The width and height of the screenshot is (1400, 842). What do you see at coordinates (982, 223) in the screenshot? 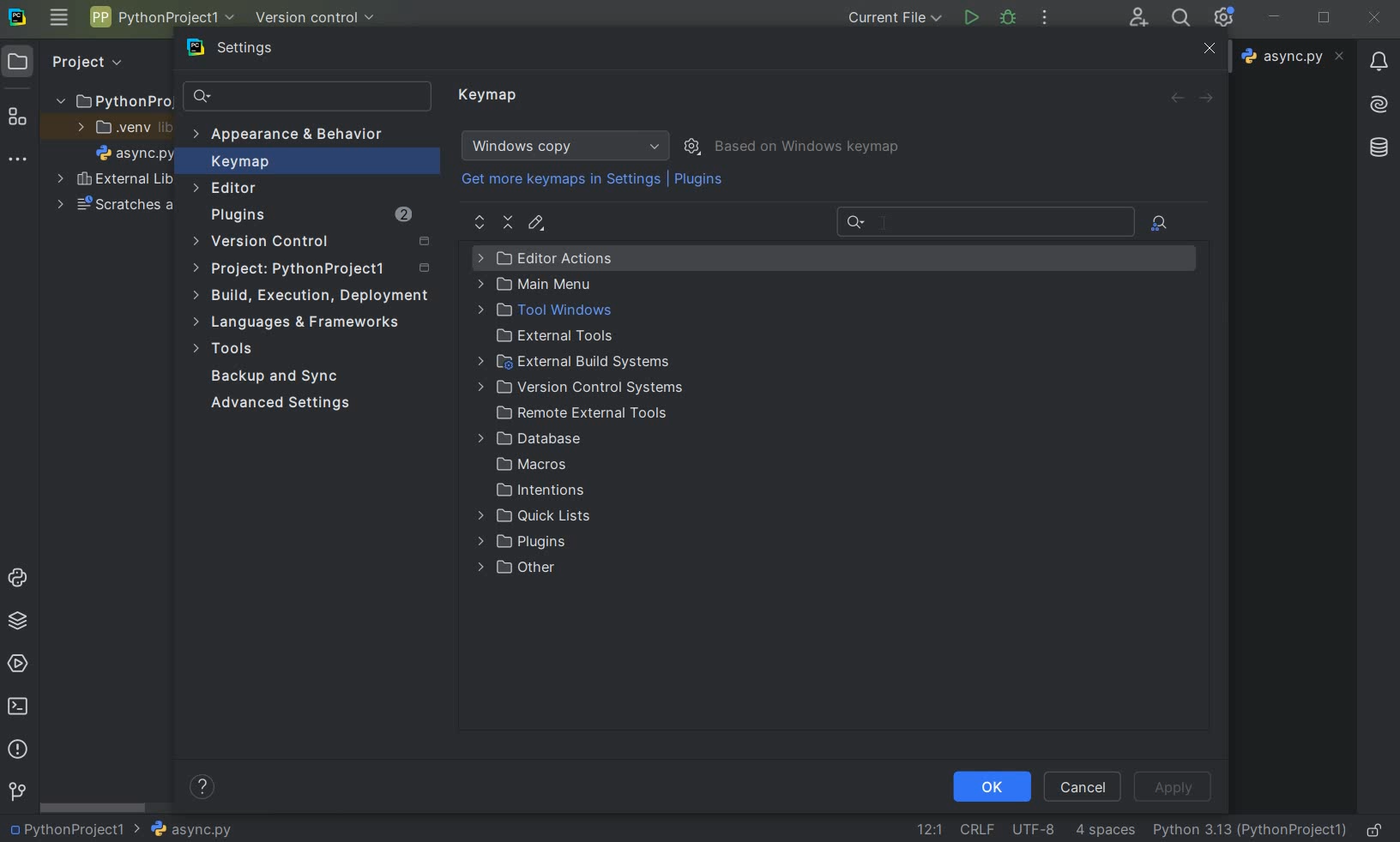
I see `recent search` at bounding box center [982, 223].